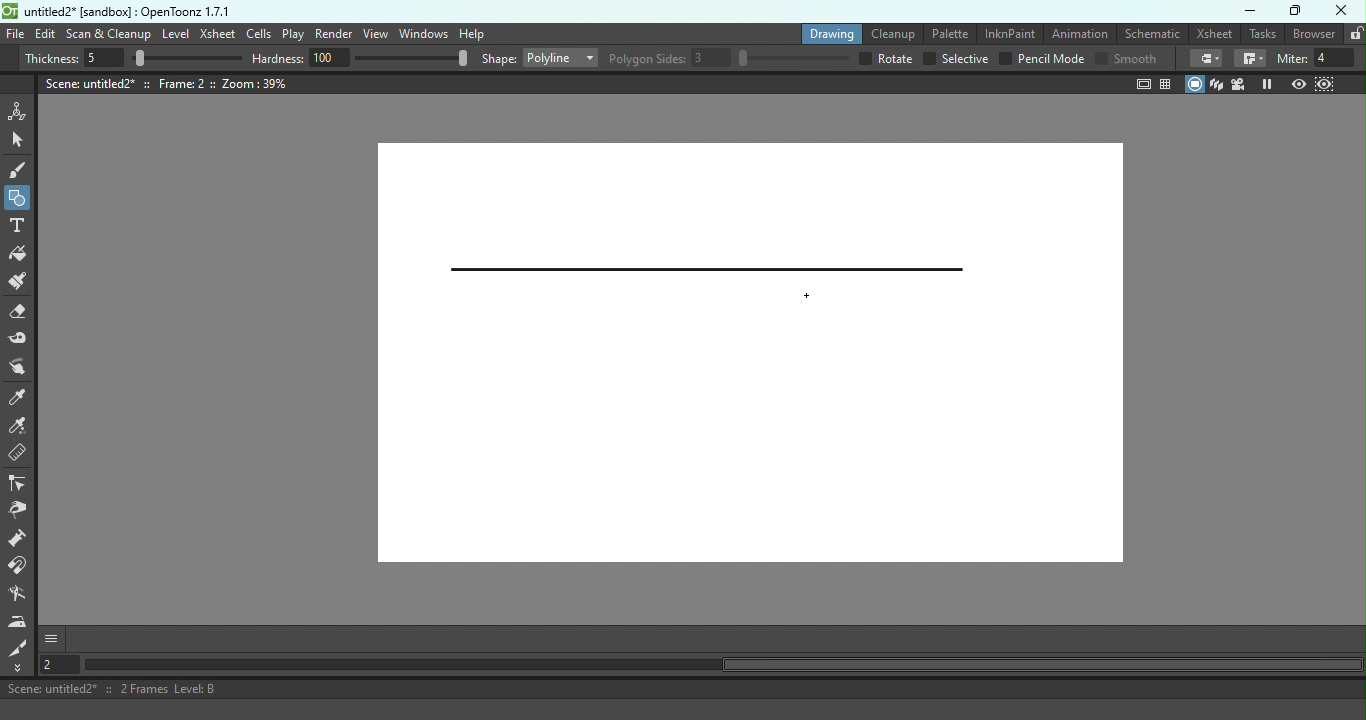 Image resolution: width=1366 pixels, height=720 pixels. Describe the element at coordinates (891, 32) in the screenshot. I see `Cleanup` at that location.